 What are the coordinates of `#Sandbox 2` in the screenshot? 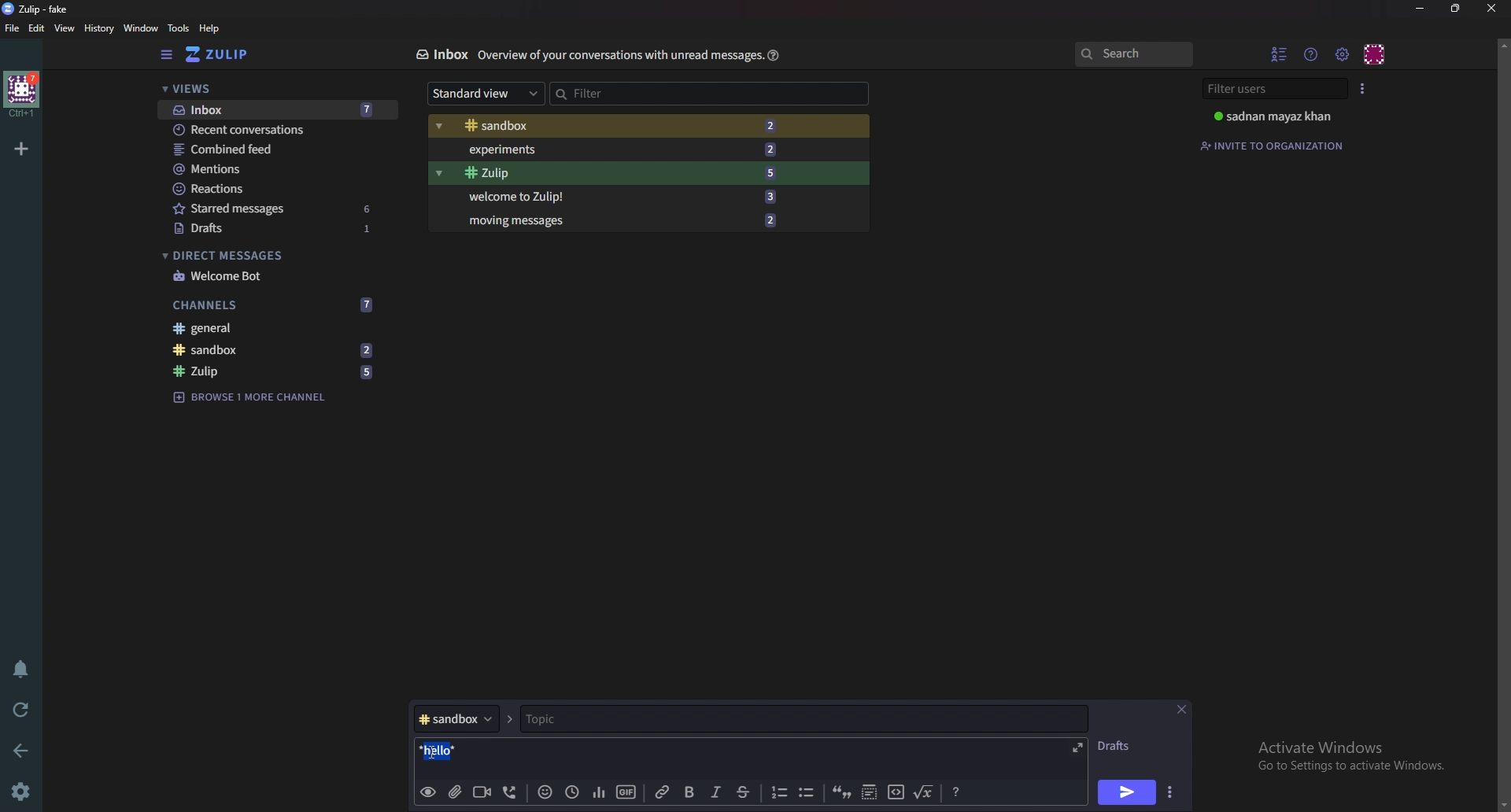 It's located at (615, 125).